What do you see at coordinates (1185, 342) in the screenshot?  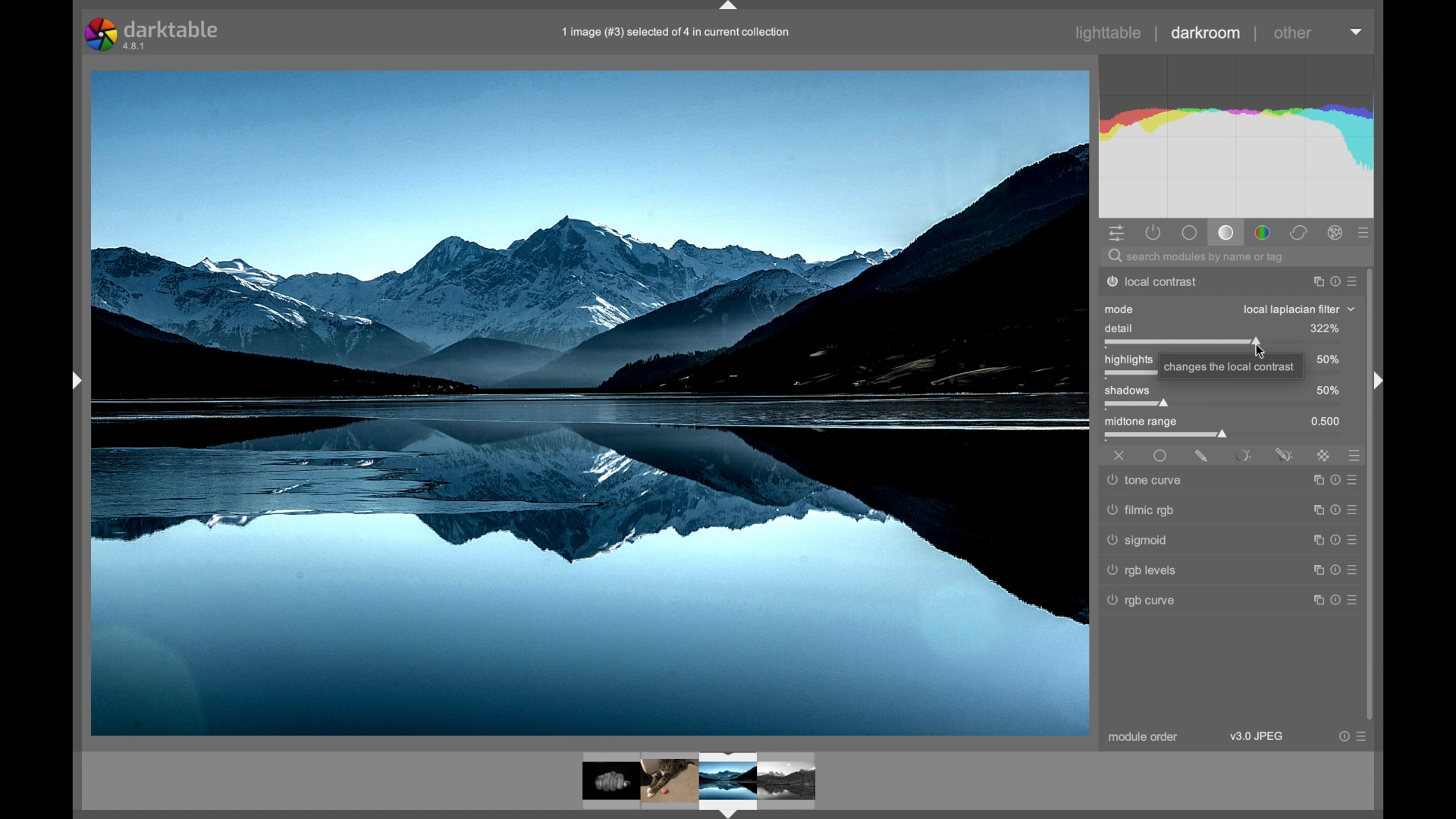 I see `slider` at bounding box center [1185, 342].